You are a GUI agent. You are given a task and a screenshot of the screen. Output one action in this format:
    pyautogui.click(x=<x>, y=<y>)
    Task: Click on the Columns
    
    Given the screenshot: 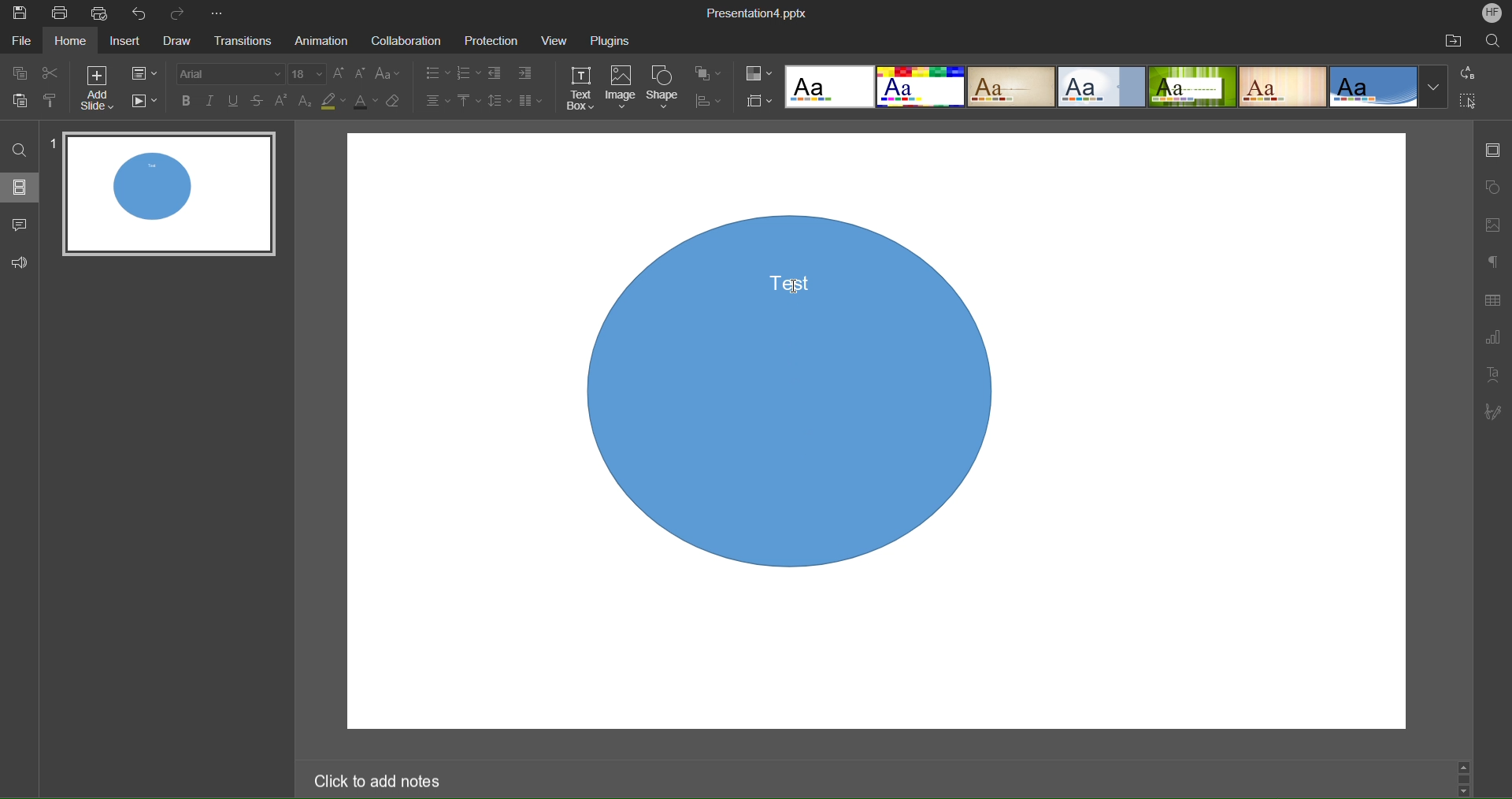 What is the action you would take?
    pyautogui.click(x=533, y=102)
    